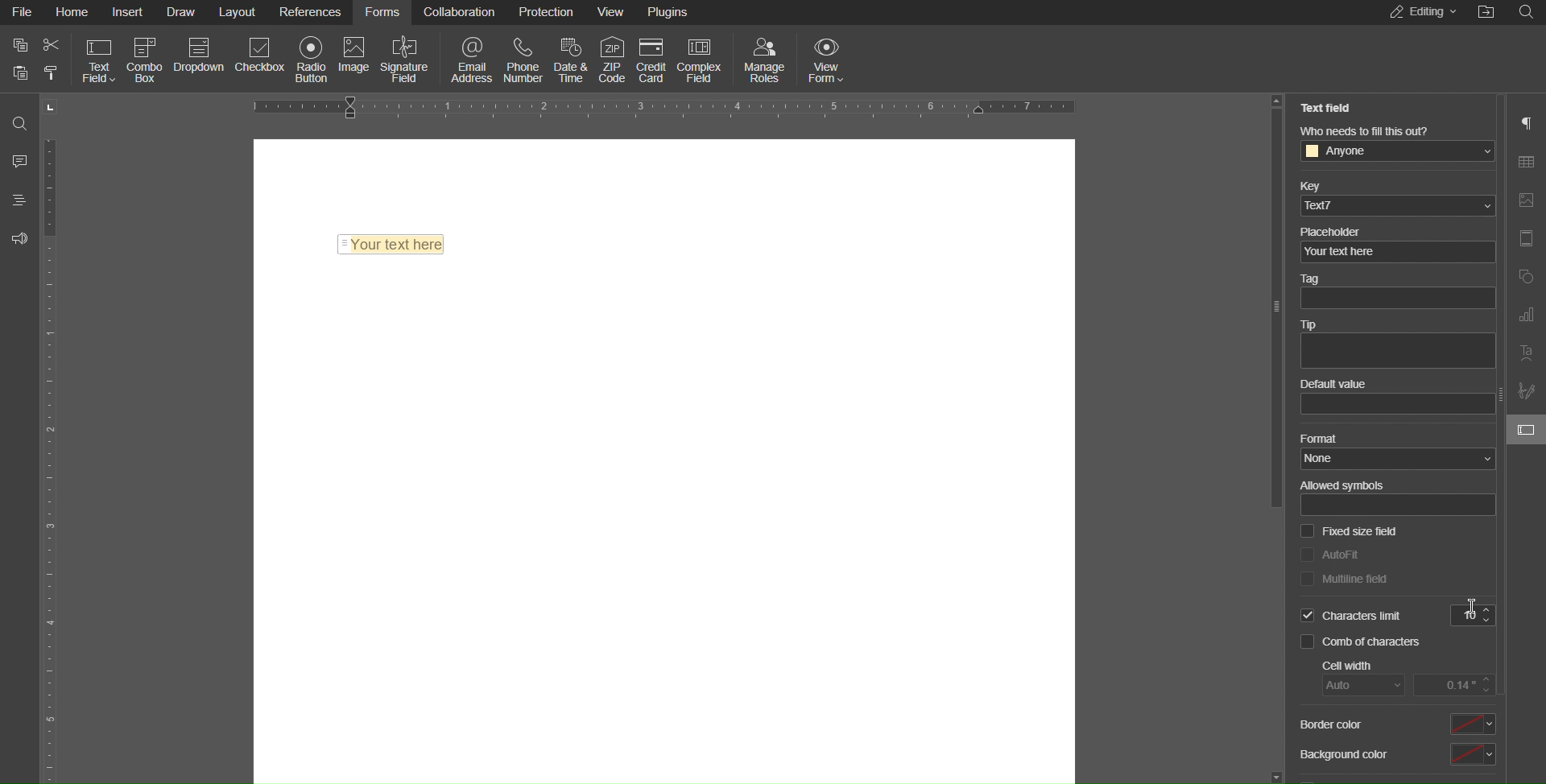 This screenshot has height=784, width=1546. I want to click on Text Field, so click(1331, 108).